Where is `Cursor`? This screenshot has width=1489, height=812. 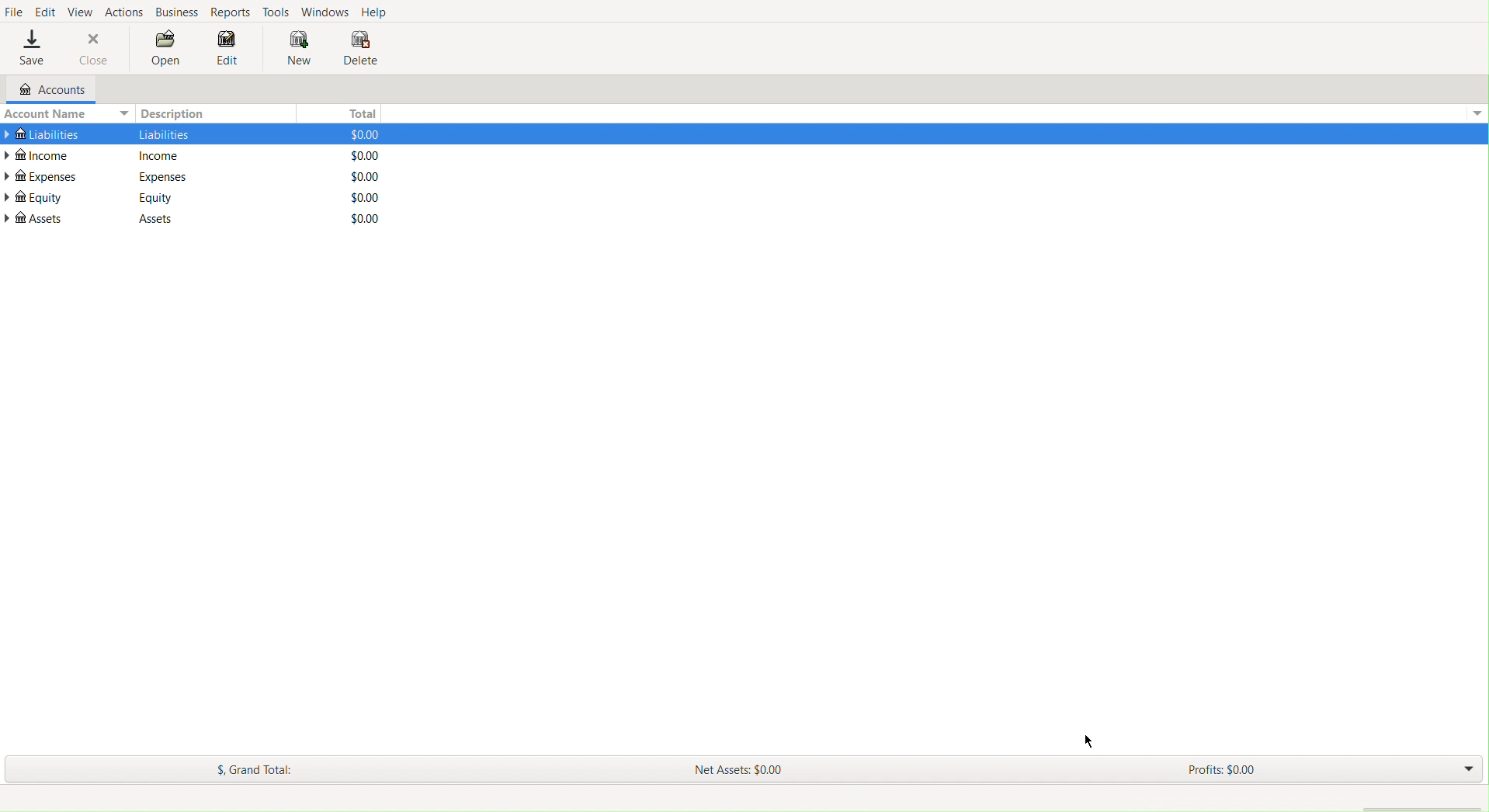
Cursor is located at coordinates (1091, 741).